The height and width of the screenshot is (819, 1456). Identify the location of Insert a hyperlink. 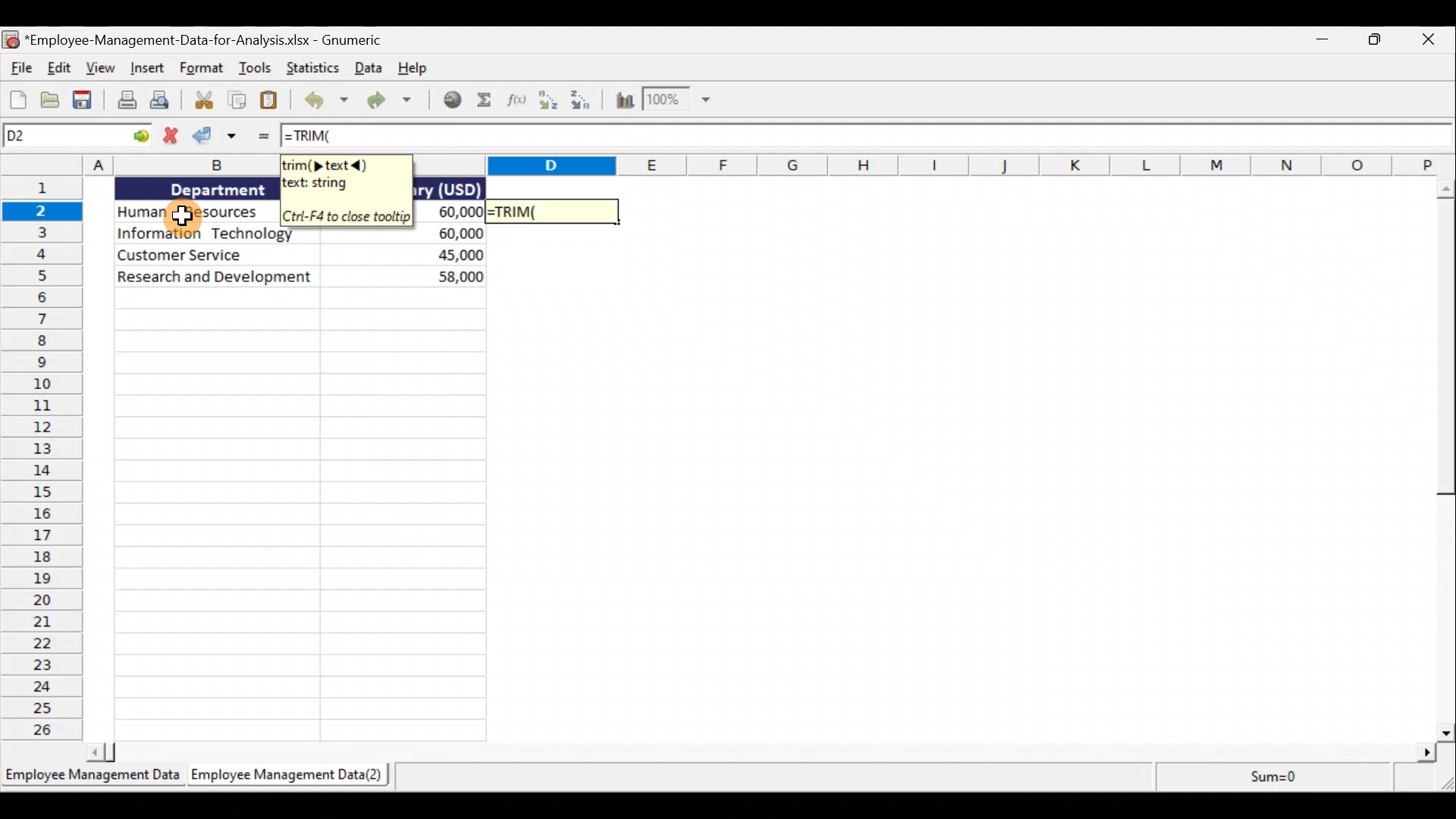
(454, 100).